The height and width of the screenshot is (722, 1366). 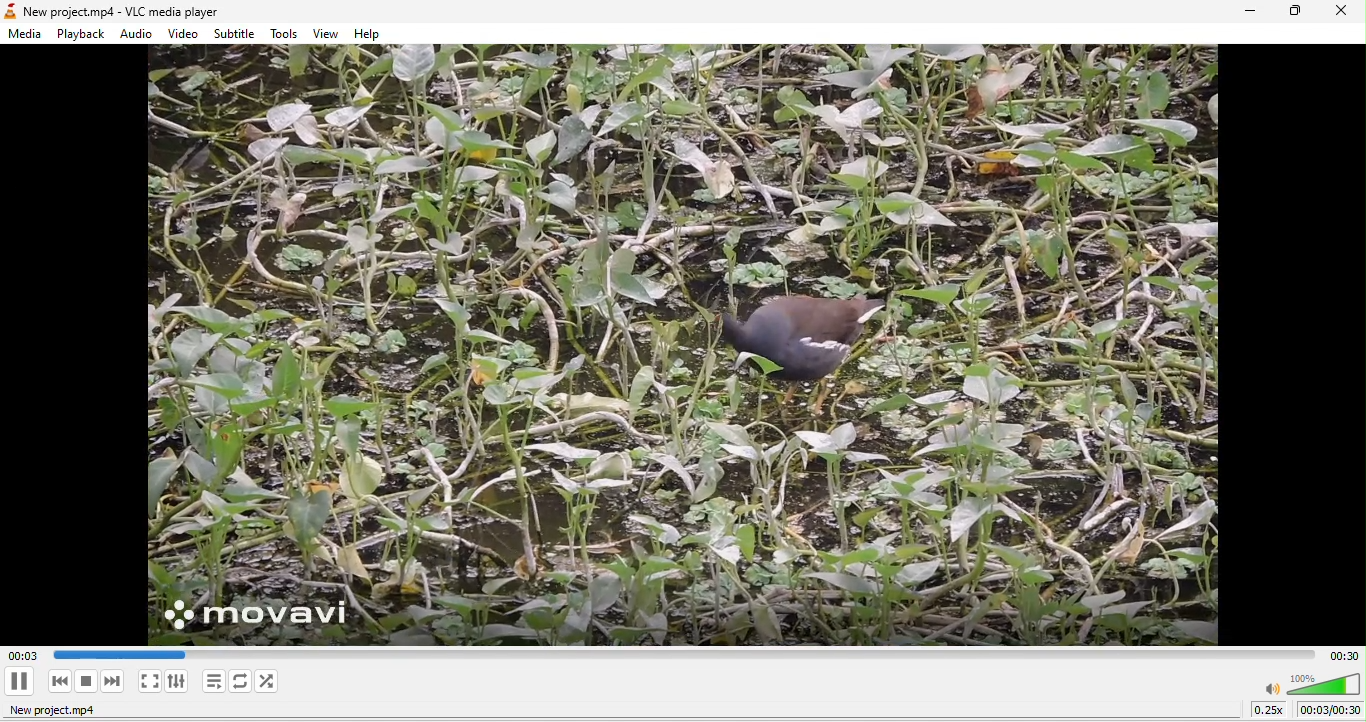 What do you see at coordinates (676, 346) in the screenshot?
I see `media output` at bounding box center [676, 346].